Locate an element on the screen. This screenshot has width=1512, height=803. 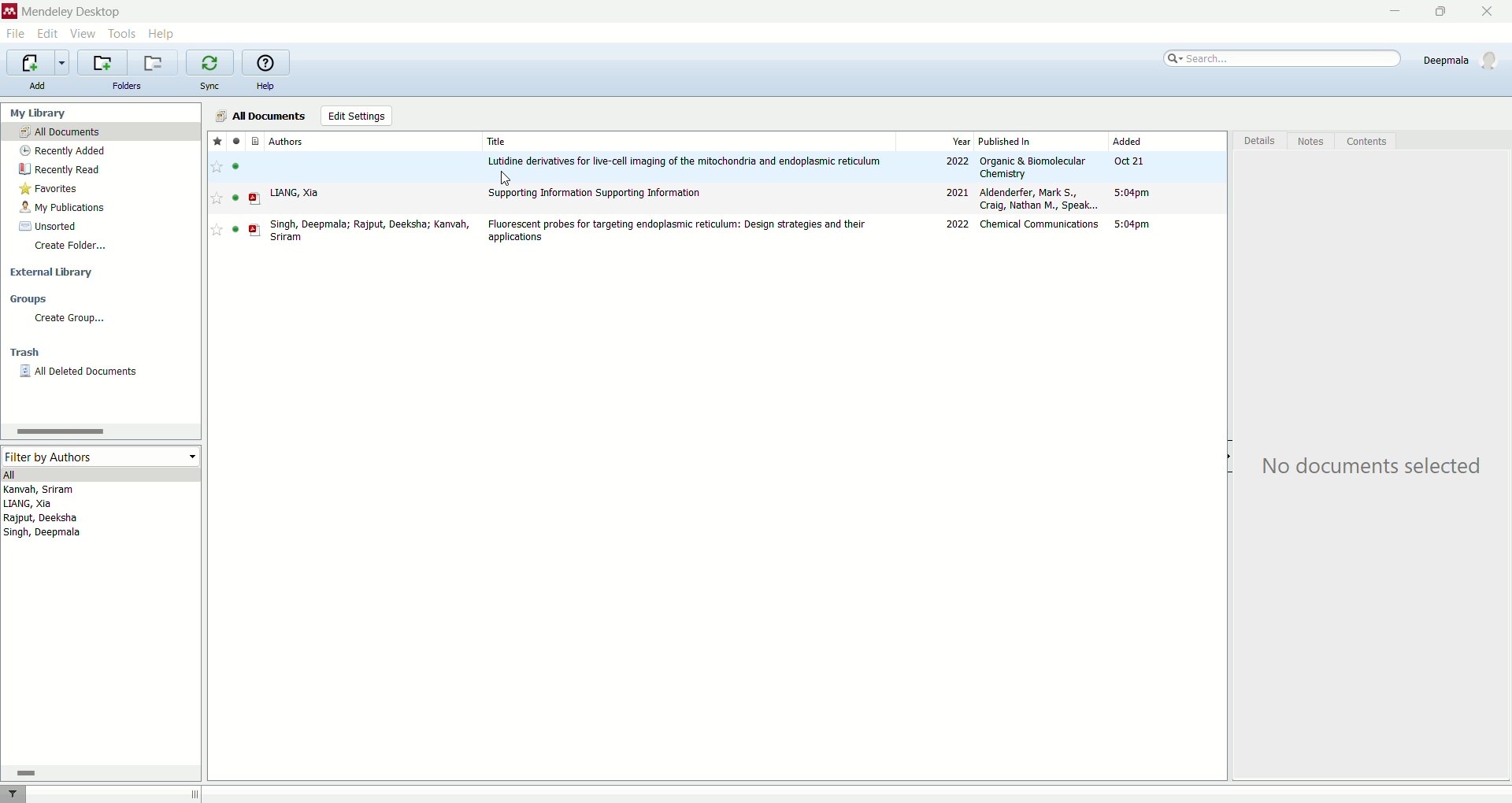
all deleted documents is located at coordinates (77, 371).